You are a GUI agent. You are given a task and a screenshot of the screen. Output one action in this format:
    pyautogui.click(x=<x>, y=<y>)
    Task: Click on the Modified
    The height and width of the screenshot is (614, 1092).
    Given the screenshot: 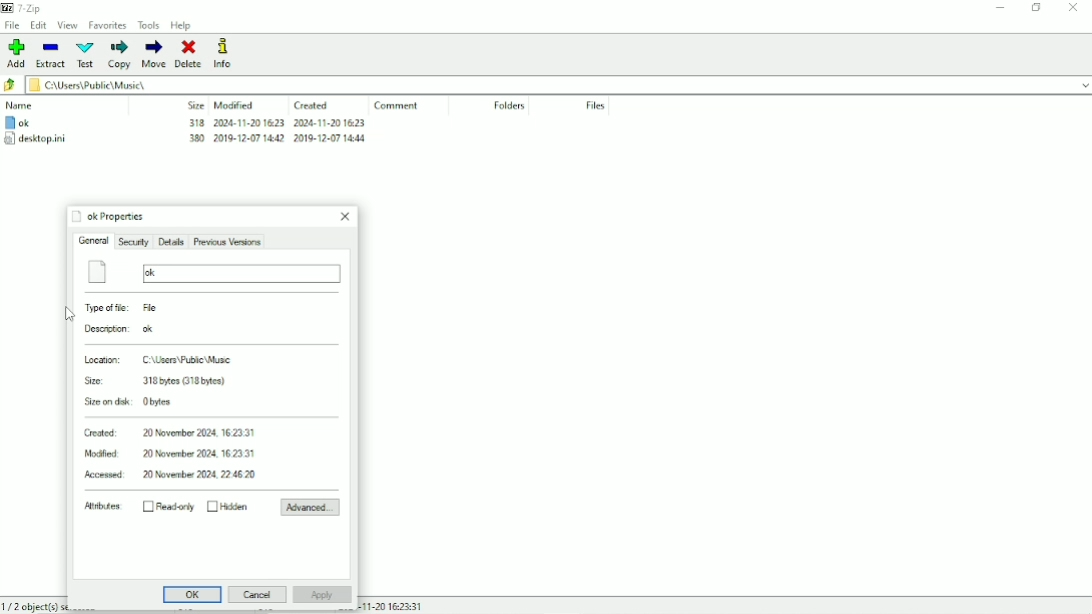 What is the action you would take?
    pyautogui.click(x=174, y=455)
    